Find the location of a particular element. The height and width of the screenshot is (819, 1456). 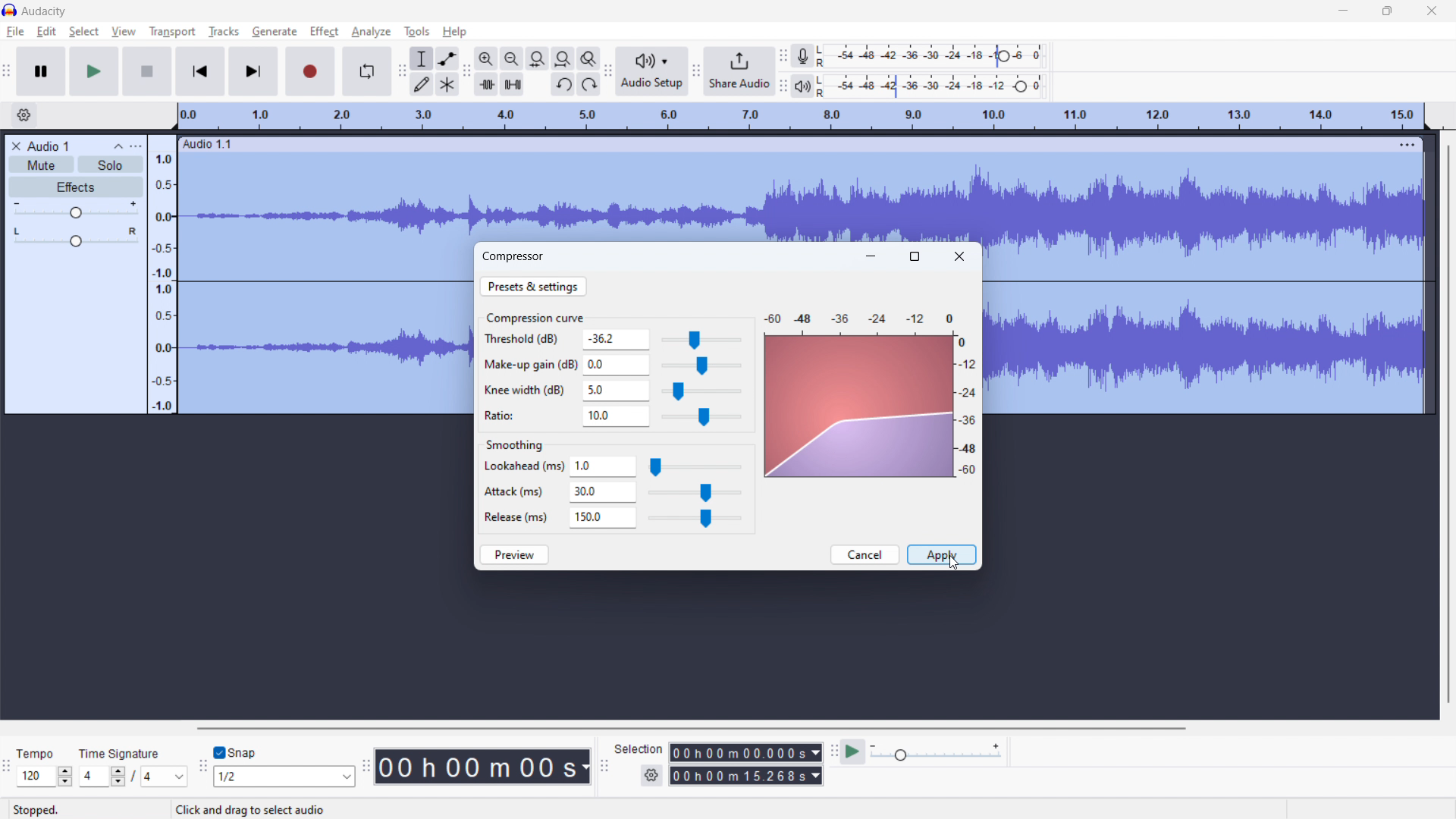

1.0 is located at coordinates (604, 467).